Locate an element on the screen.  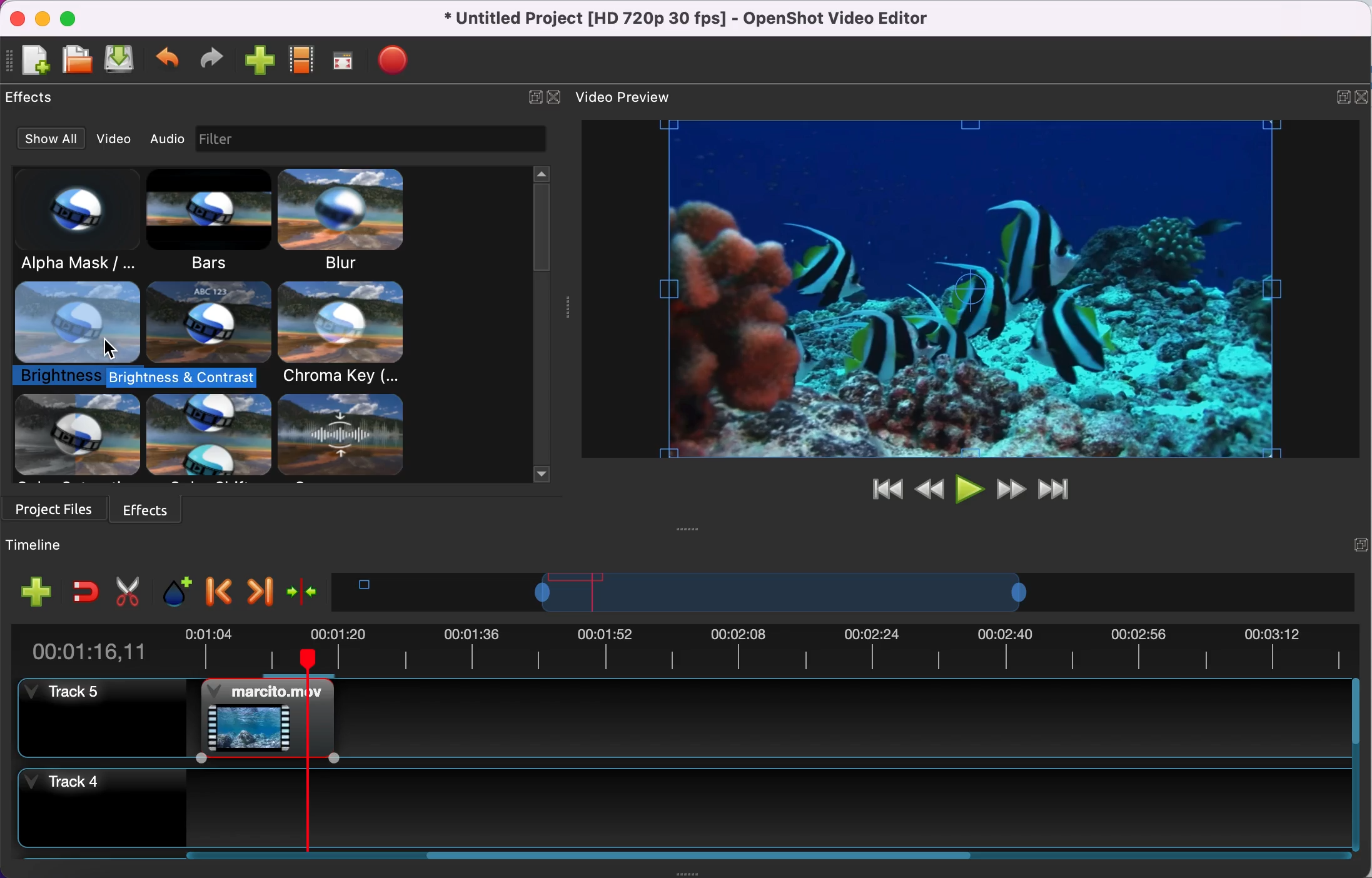
choose profile is located at coordinates (301, 61).